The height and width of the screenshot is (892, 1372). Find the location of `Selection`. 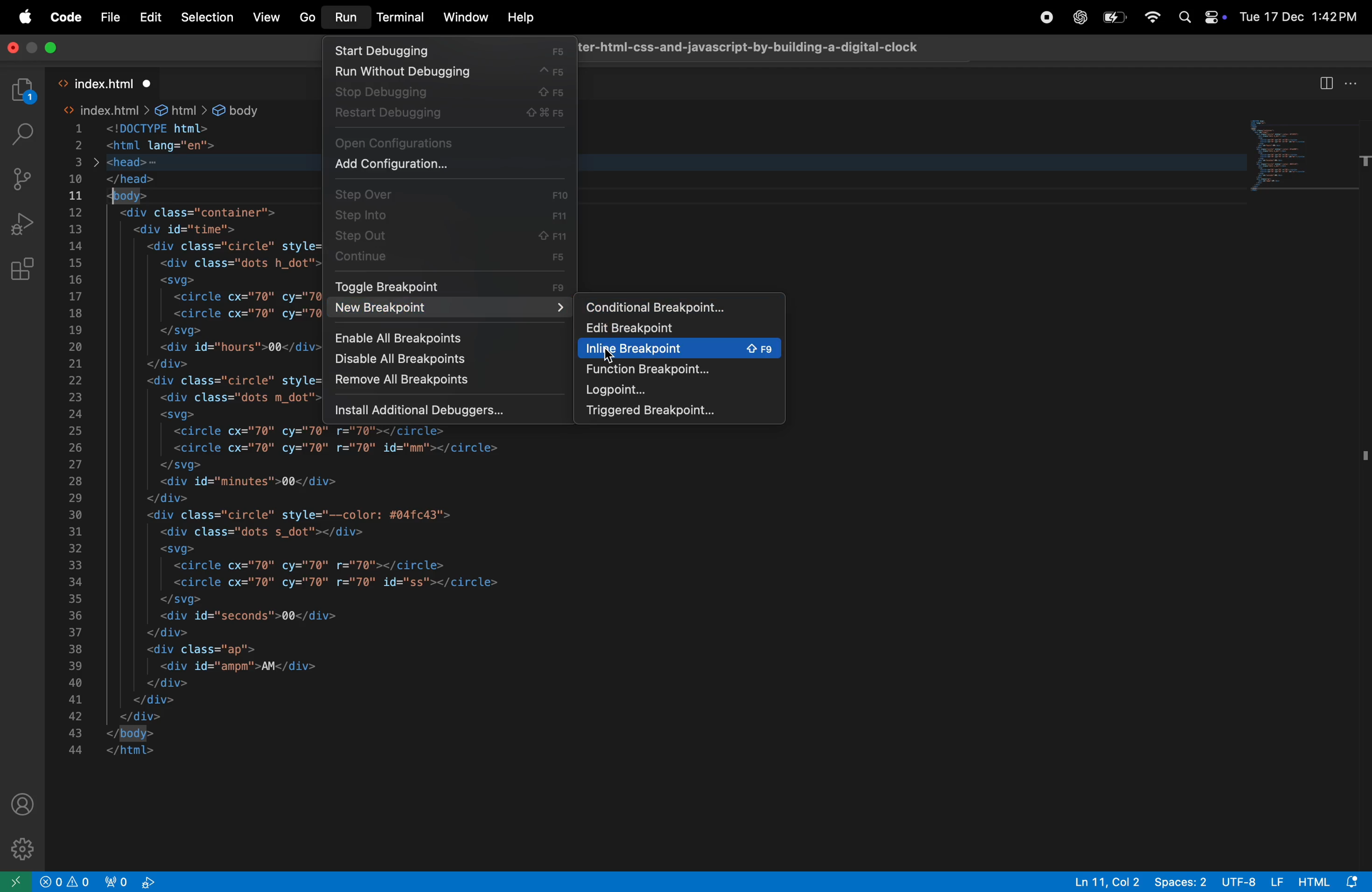

Selection is located at coordinates (205, 17).